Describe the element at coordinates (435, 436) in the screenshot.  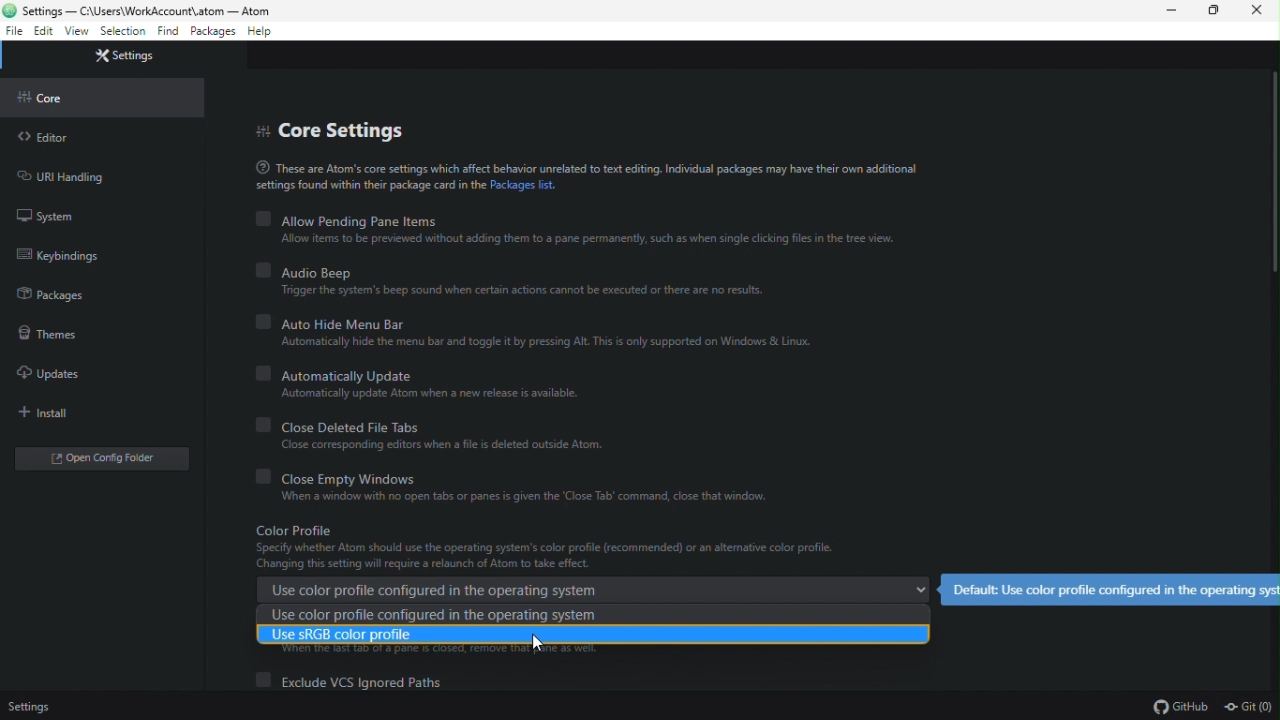
I see `close deleted file tabs` at that location.